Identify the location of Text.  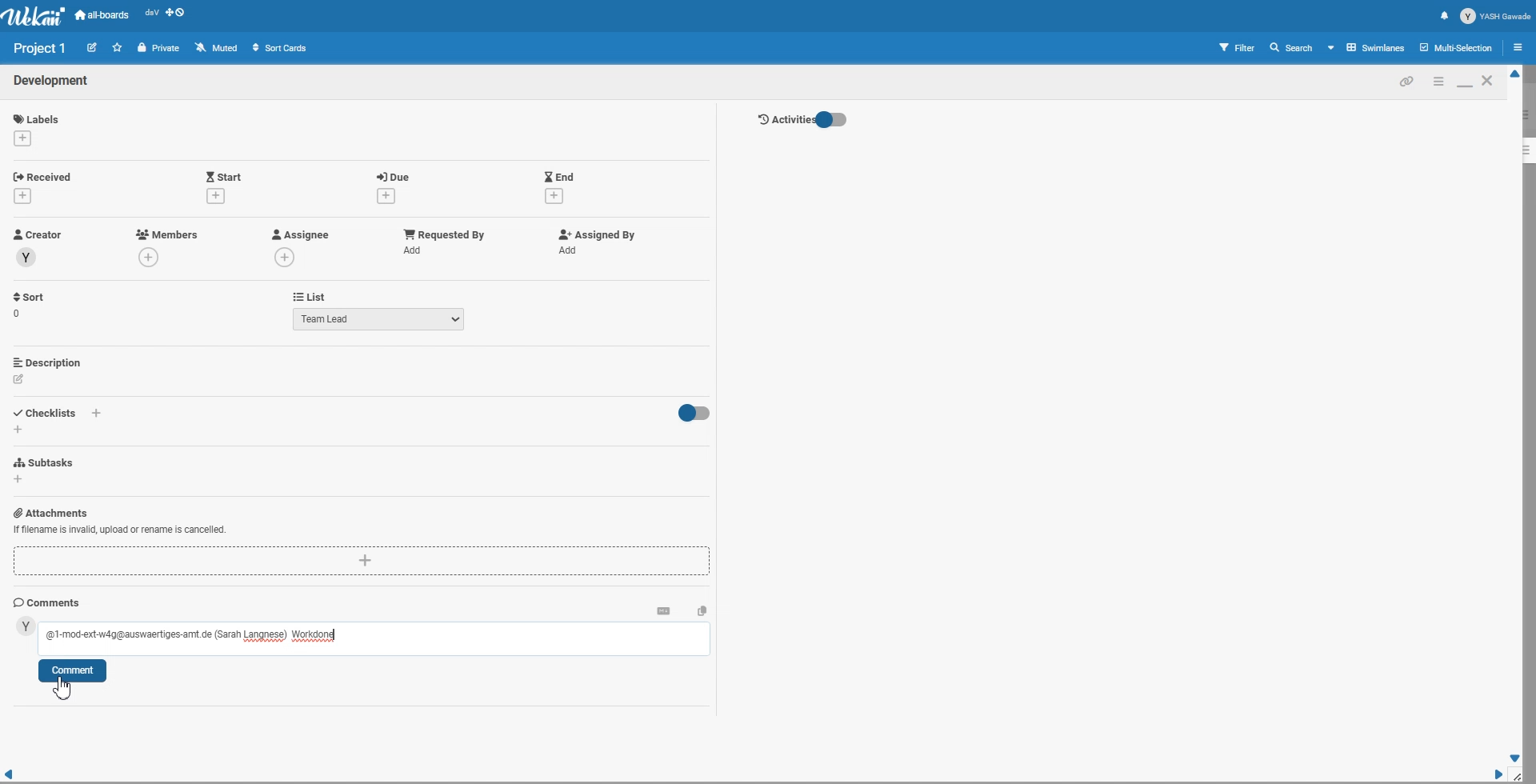
(41, 48).